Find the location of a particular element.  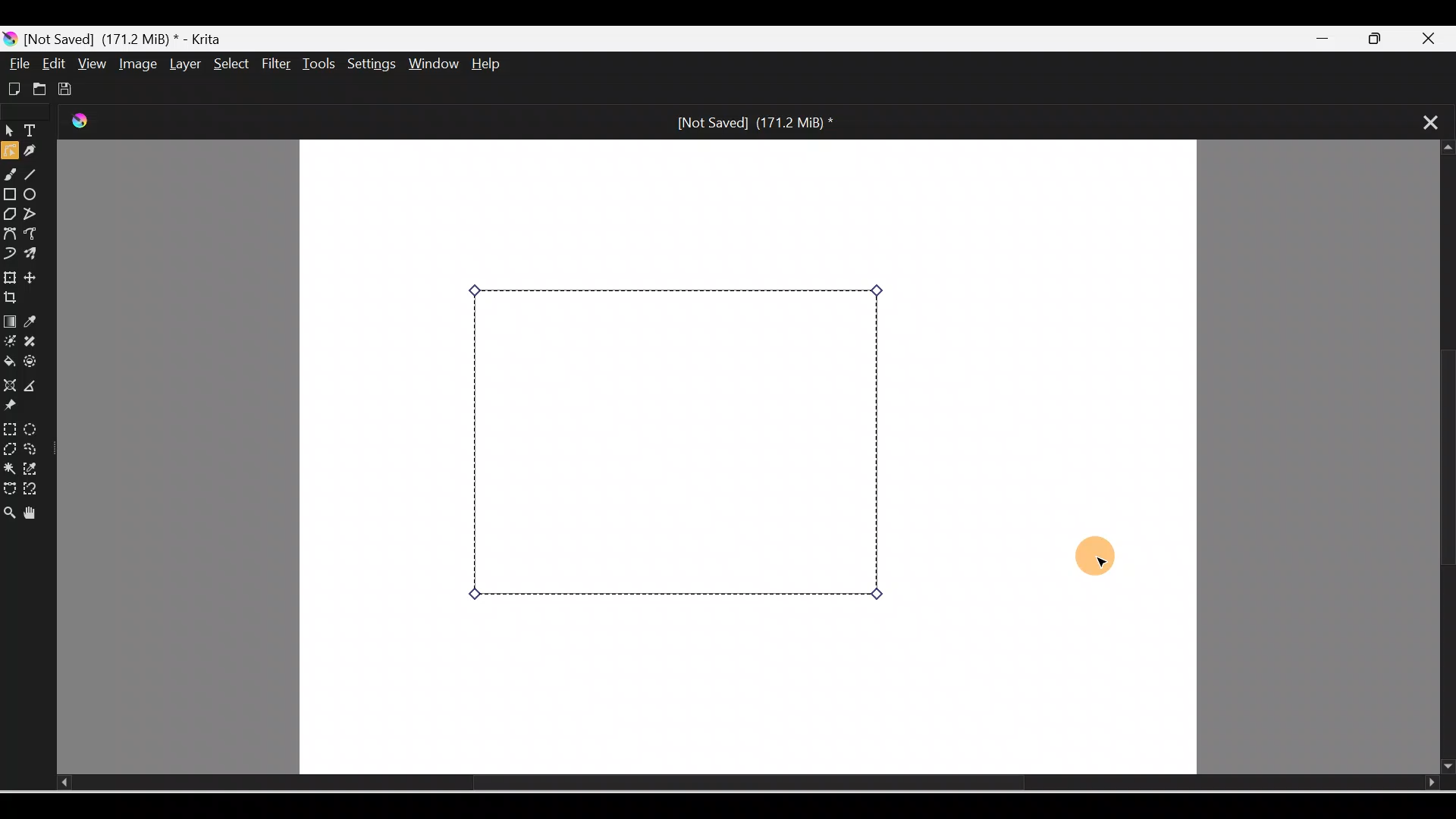

Calligraphy is located at coordinates (36, 152).